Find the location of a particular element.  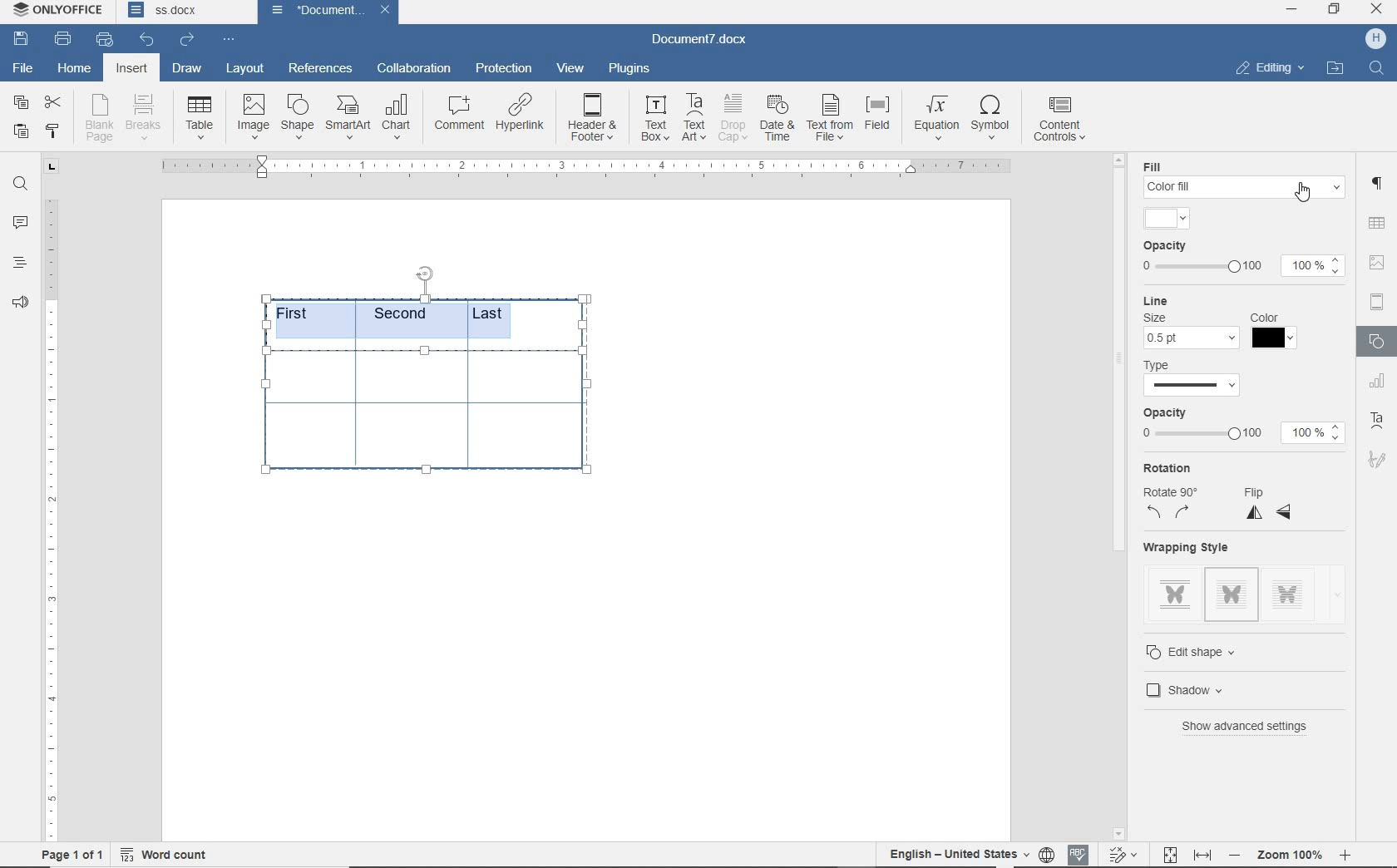

flip is located at coordinates (1269, 503).